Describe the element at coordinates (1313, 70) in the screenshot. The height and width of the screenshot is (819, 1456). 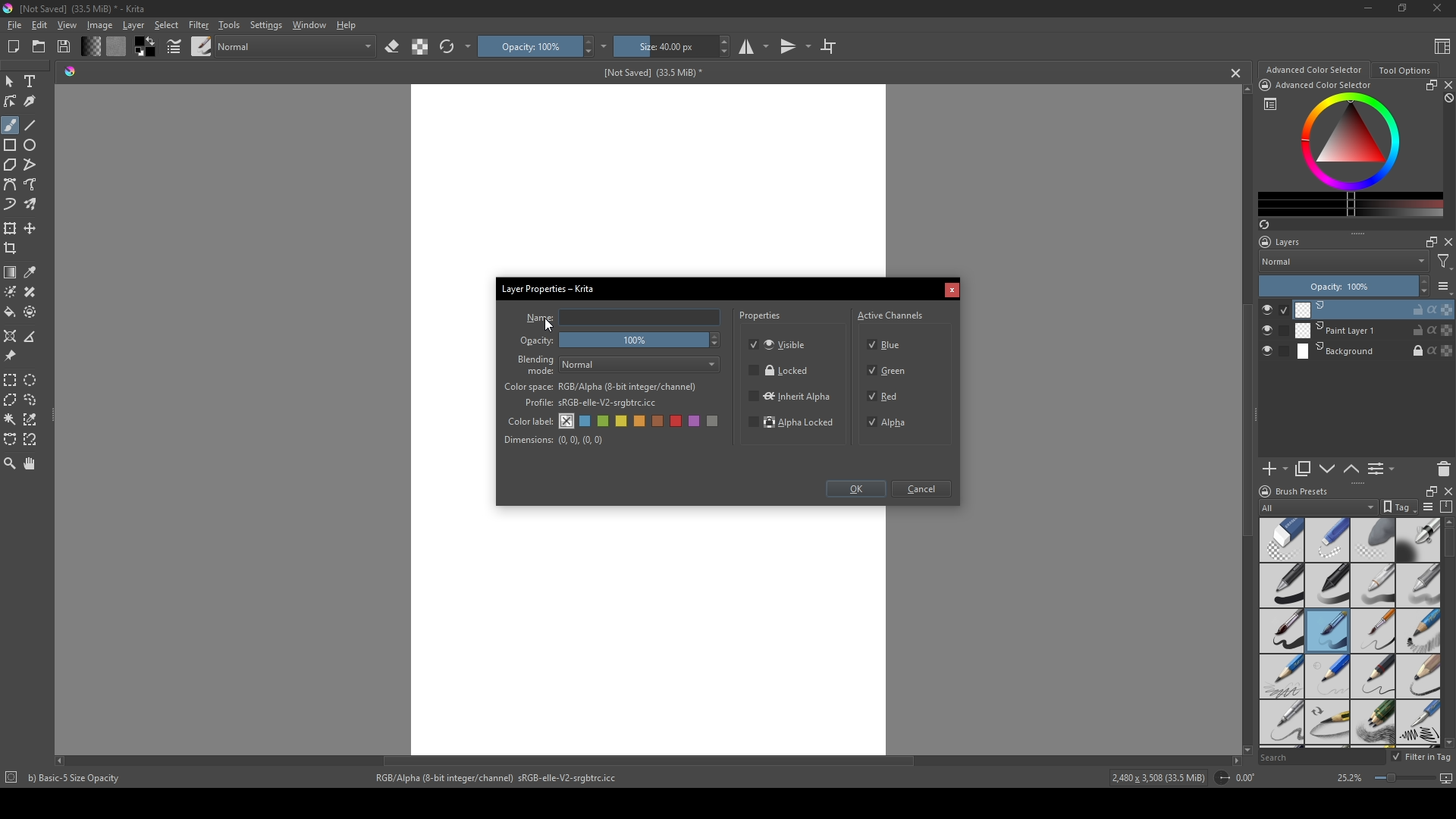
I see `Advanced color selector` at that location.